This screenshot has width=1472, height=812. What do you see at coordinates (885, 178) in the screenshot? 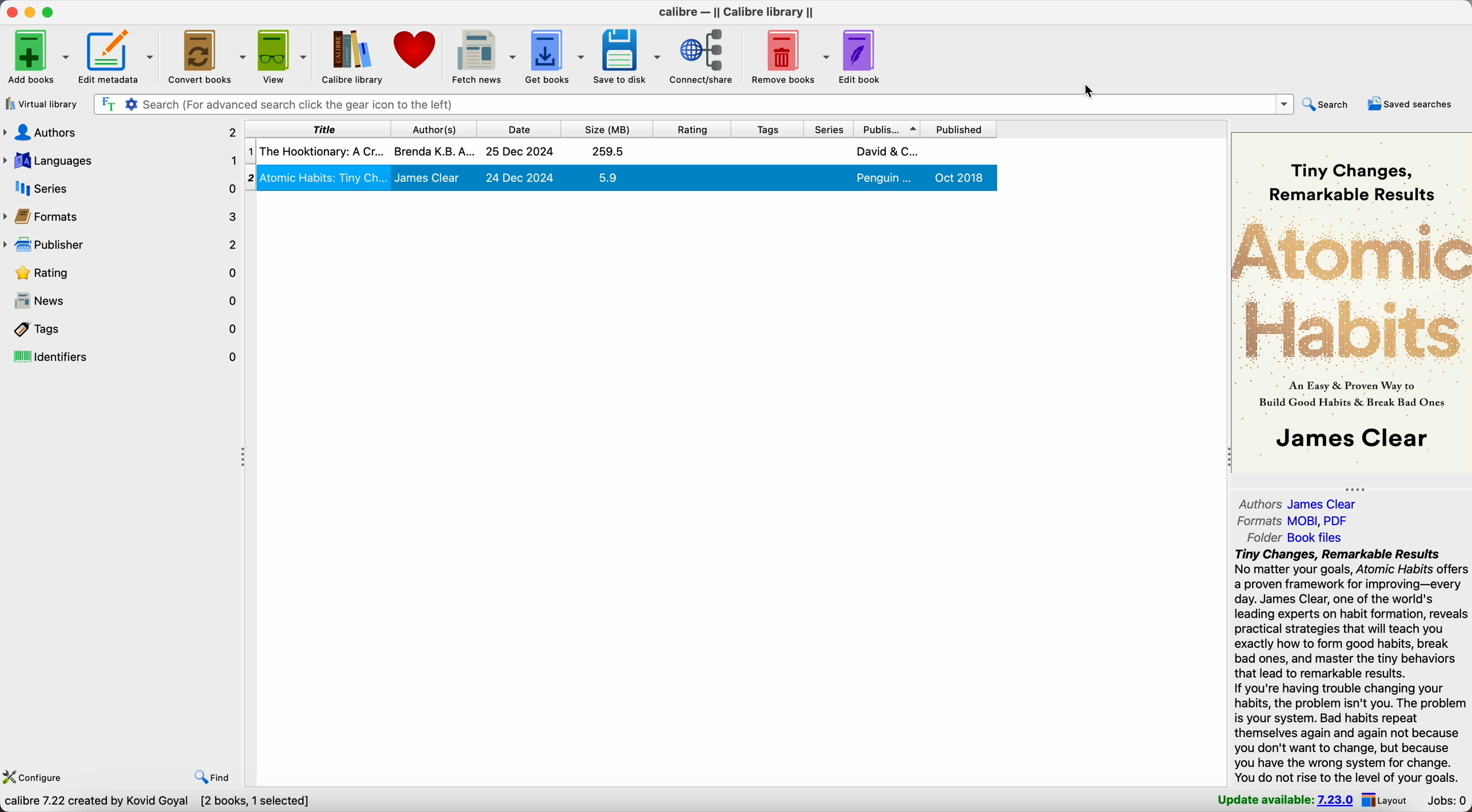
I see `Penguin` at bounding box center [885, 178].